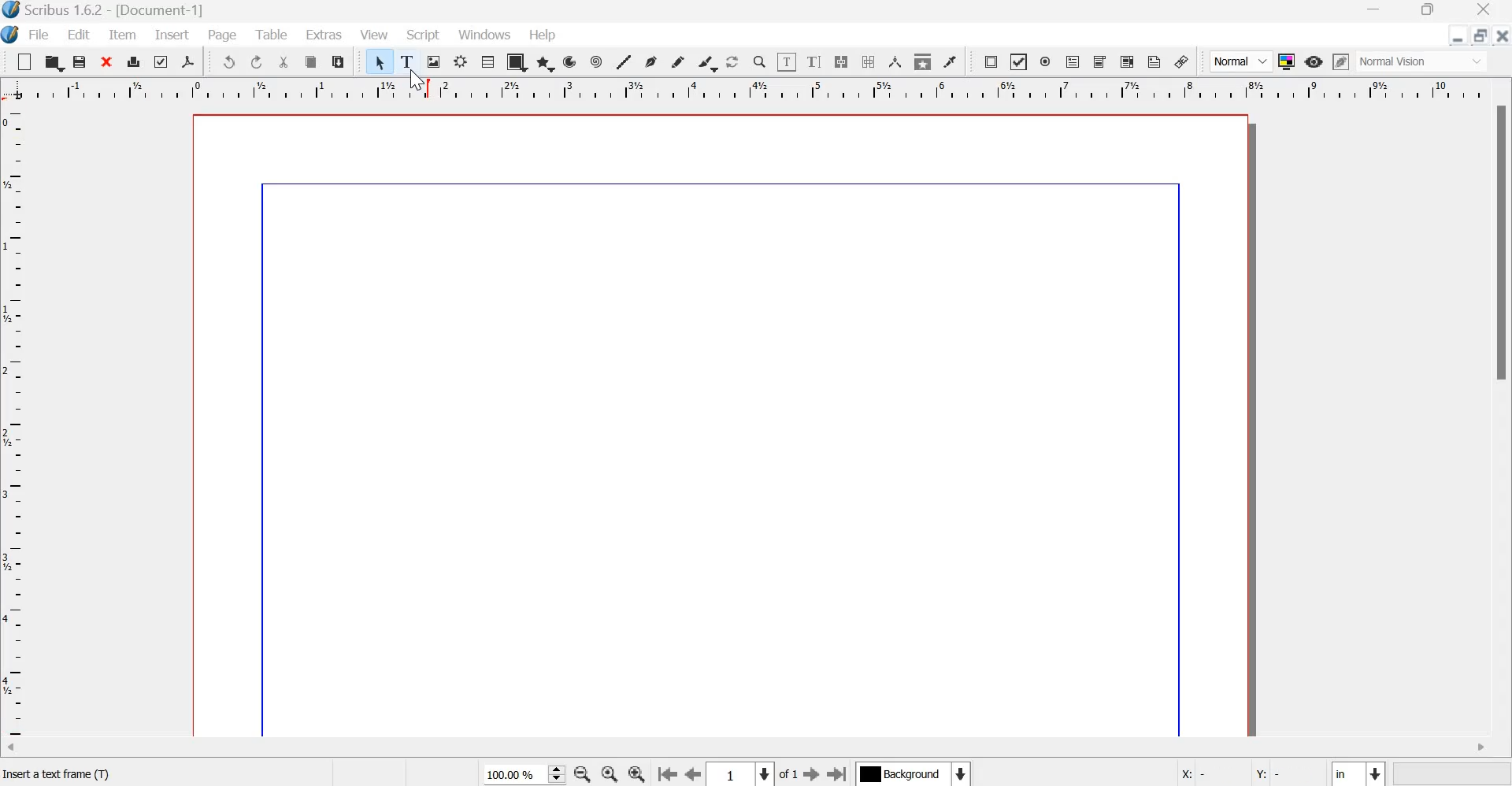 The width and height of the screenshot is (1512, 786). I want to click on undo, so click(228, 61).